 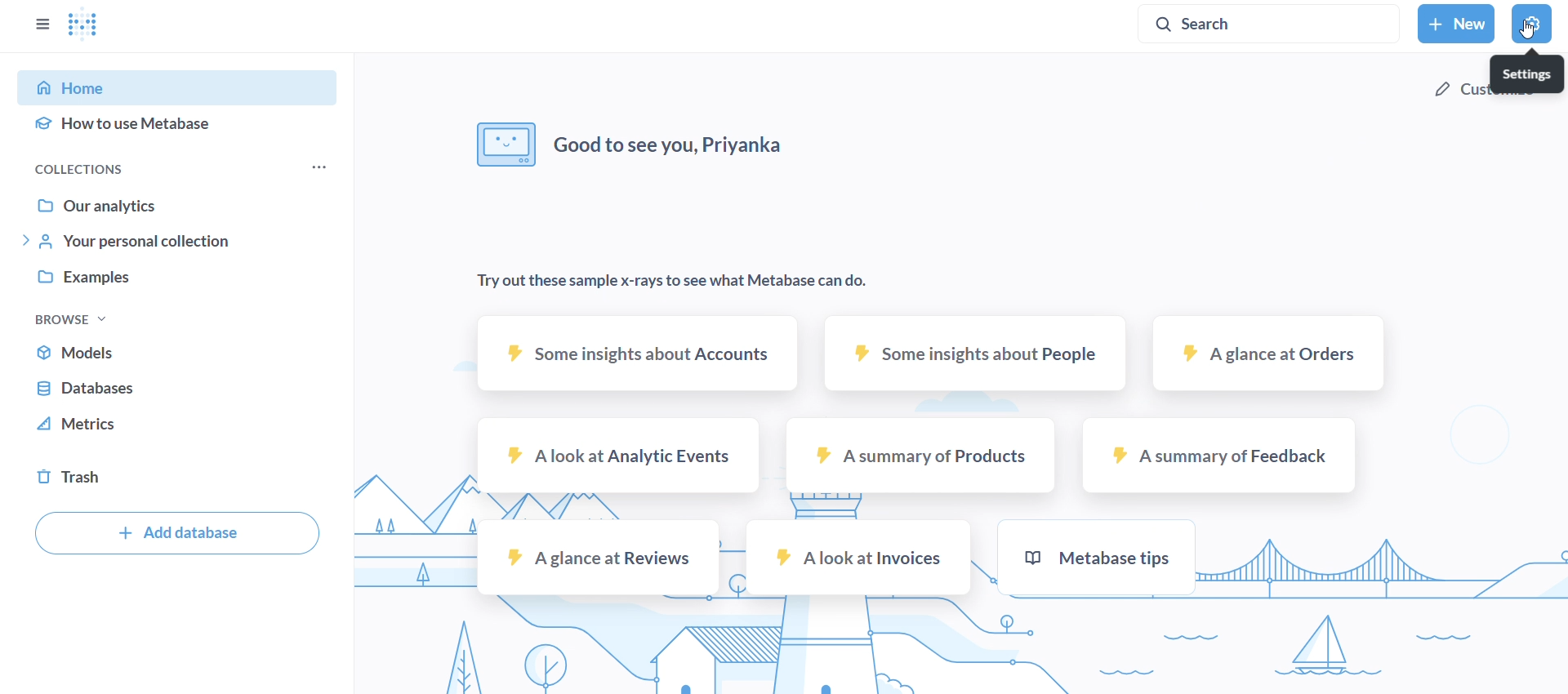 I want to click on home, so click(x=184, y=87).